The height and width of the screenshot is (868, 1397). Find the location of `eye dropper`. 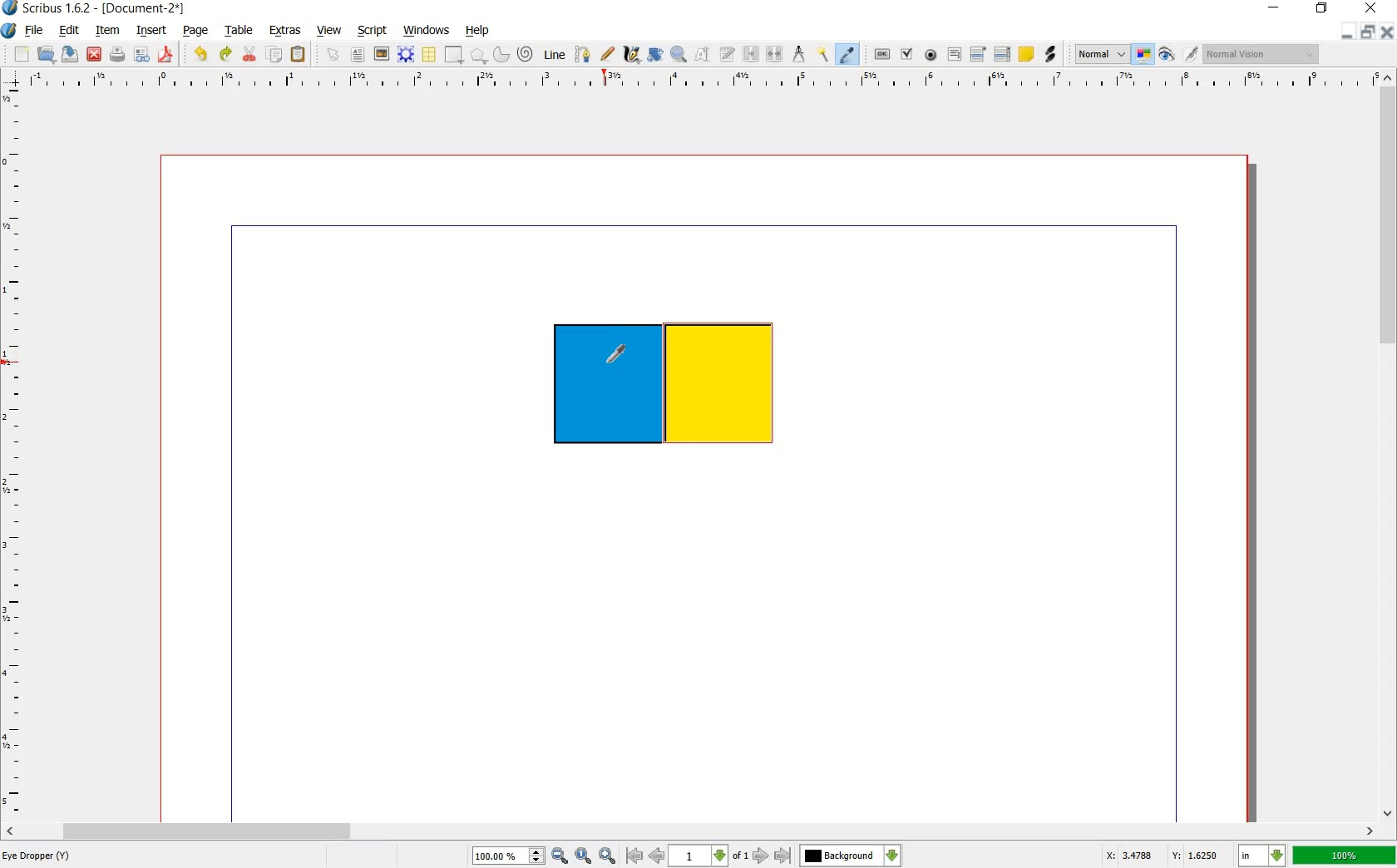

eye dropper is located at coordinates (614, 360).